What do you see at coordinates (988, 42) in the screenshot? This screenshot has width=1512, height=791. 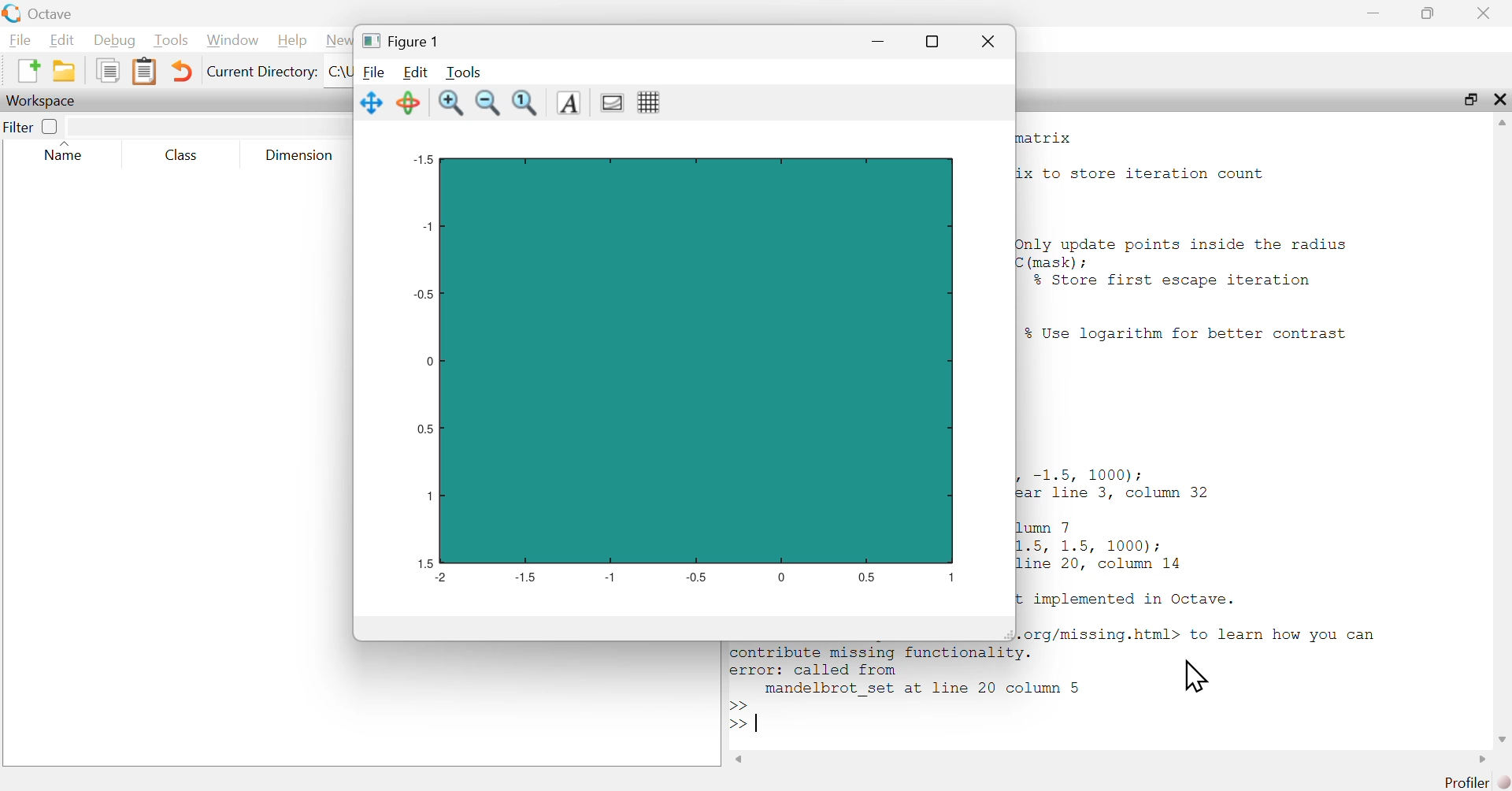 I see `close` at bounding box center [988, 42].